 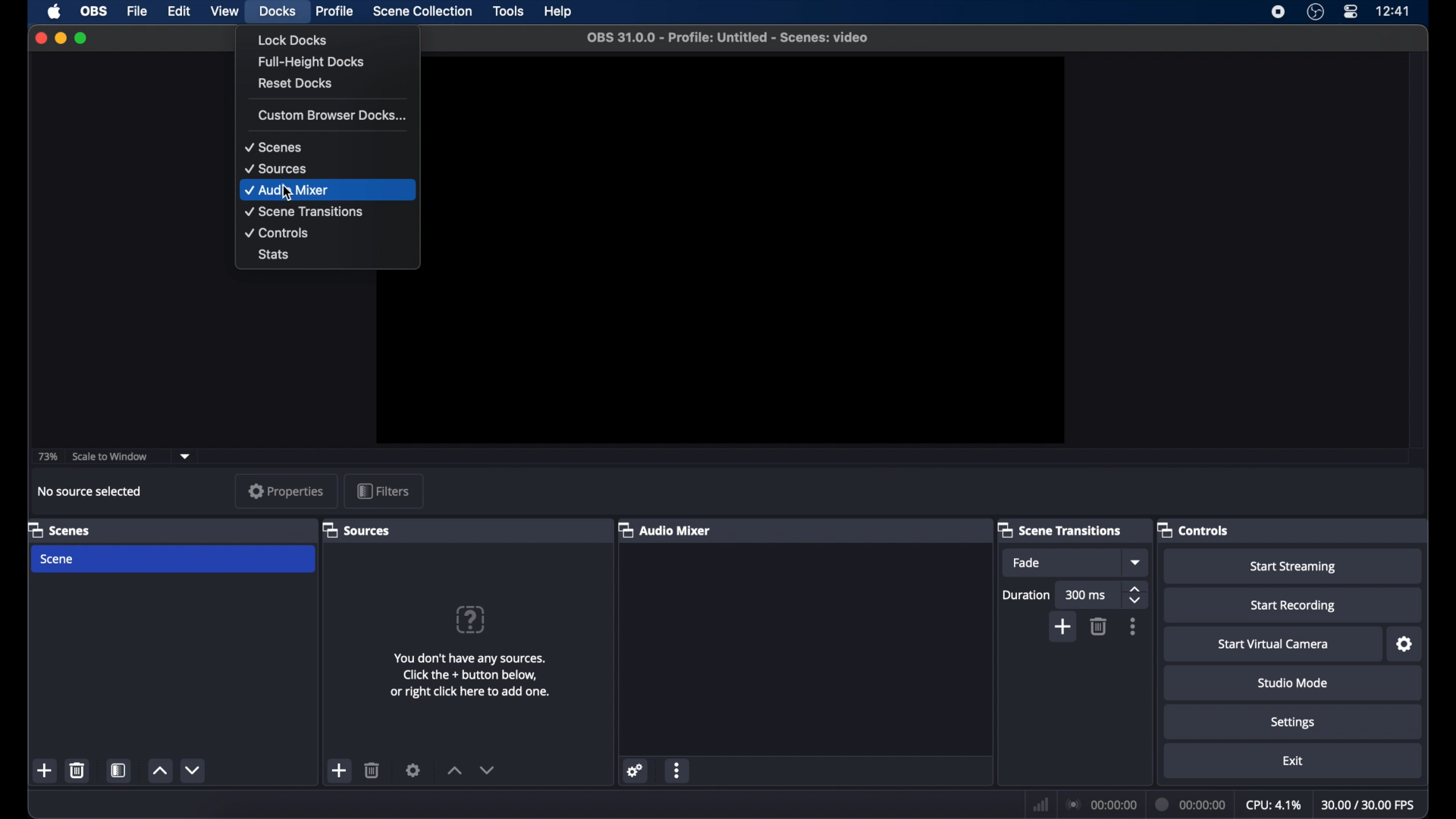 I want to click on sources, so click(x=277, y=169).